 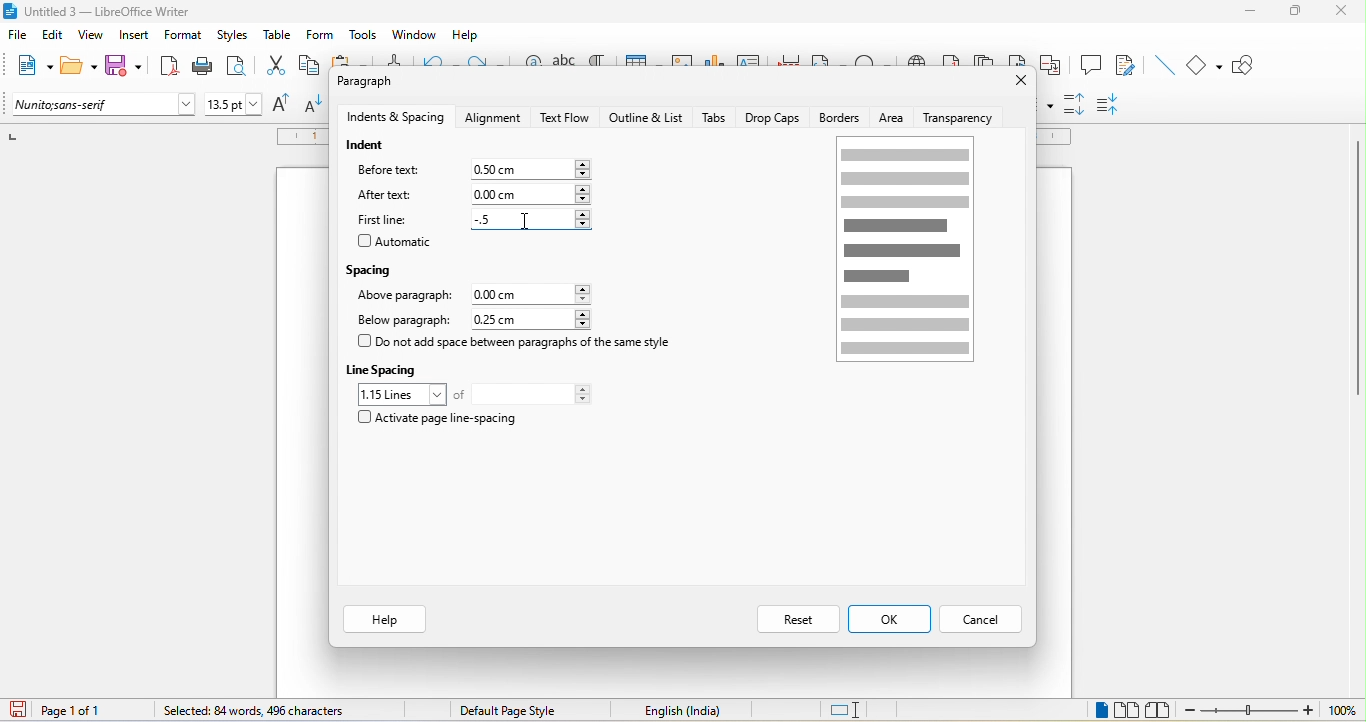 What do you see at coordinates (1073, 102) in the screenshot?
I see `increase paragraph spacing` at bounding box center [1073, 102].